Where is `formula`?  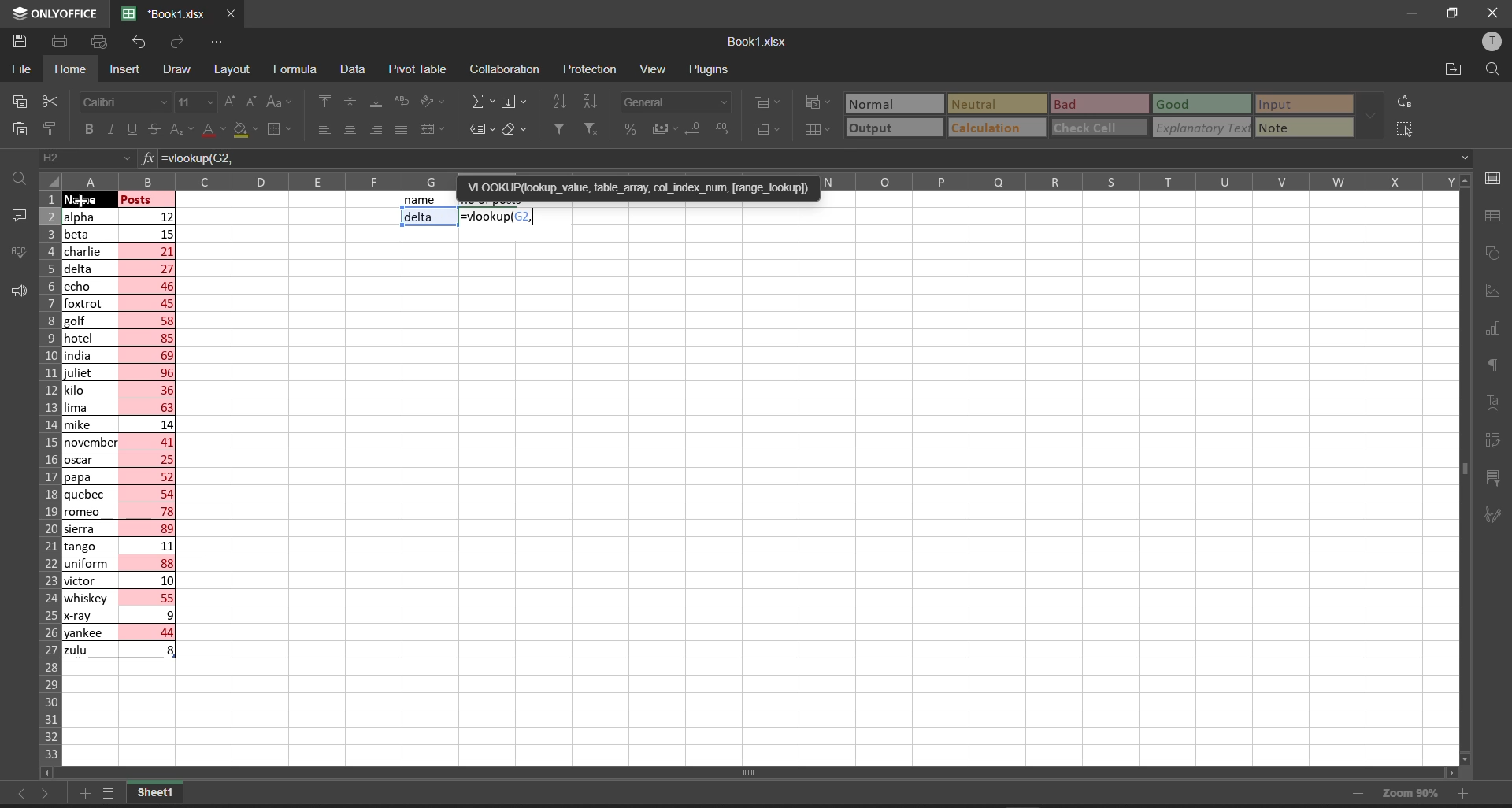
formula is located at coordinates (298, 70).